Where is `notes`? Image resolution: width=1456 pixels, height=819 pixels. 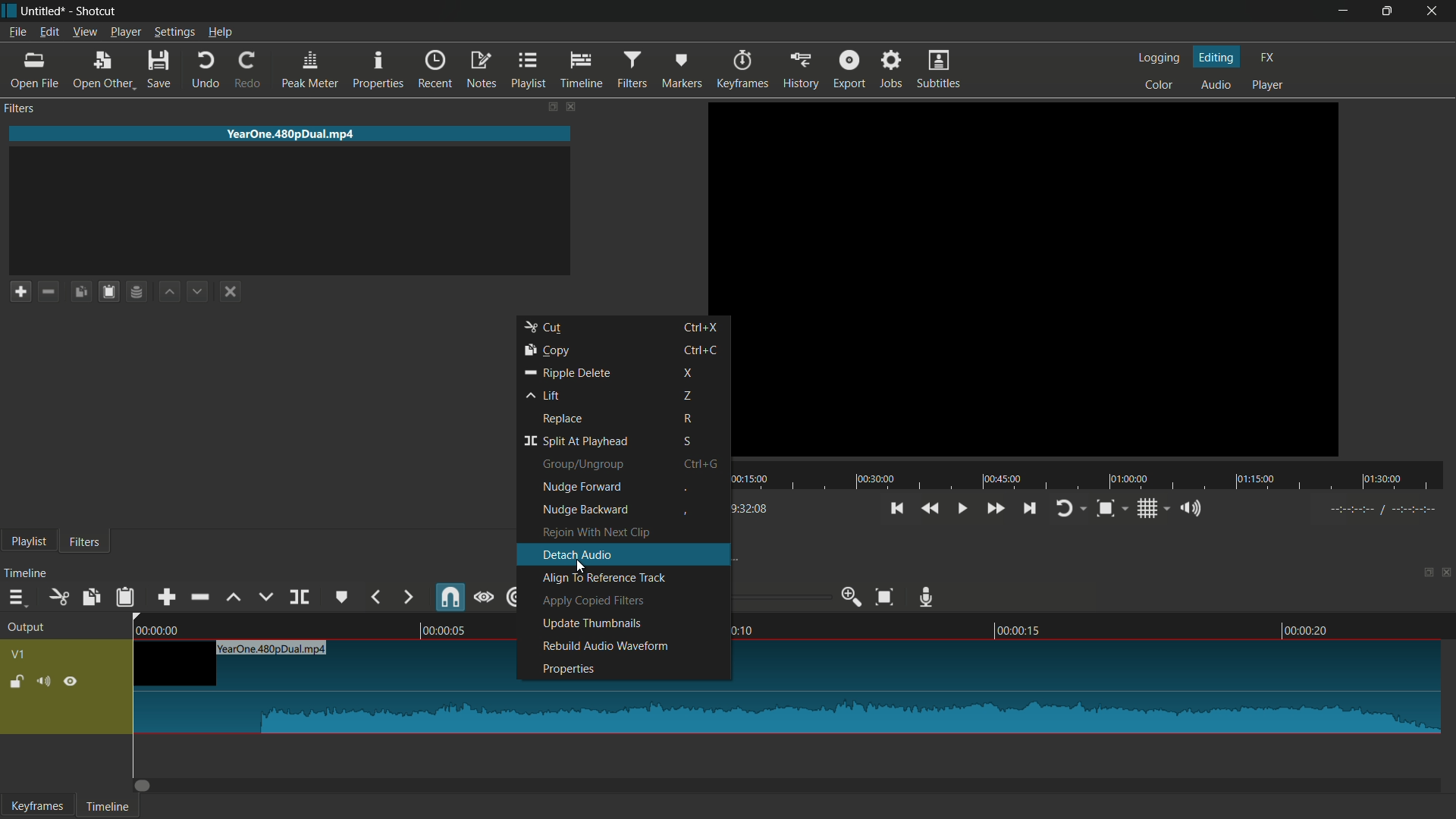 notes is located at coordinates (482, 71).